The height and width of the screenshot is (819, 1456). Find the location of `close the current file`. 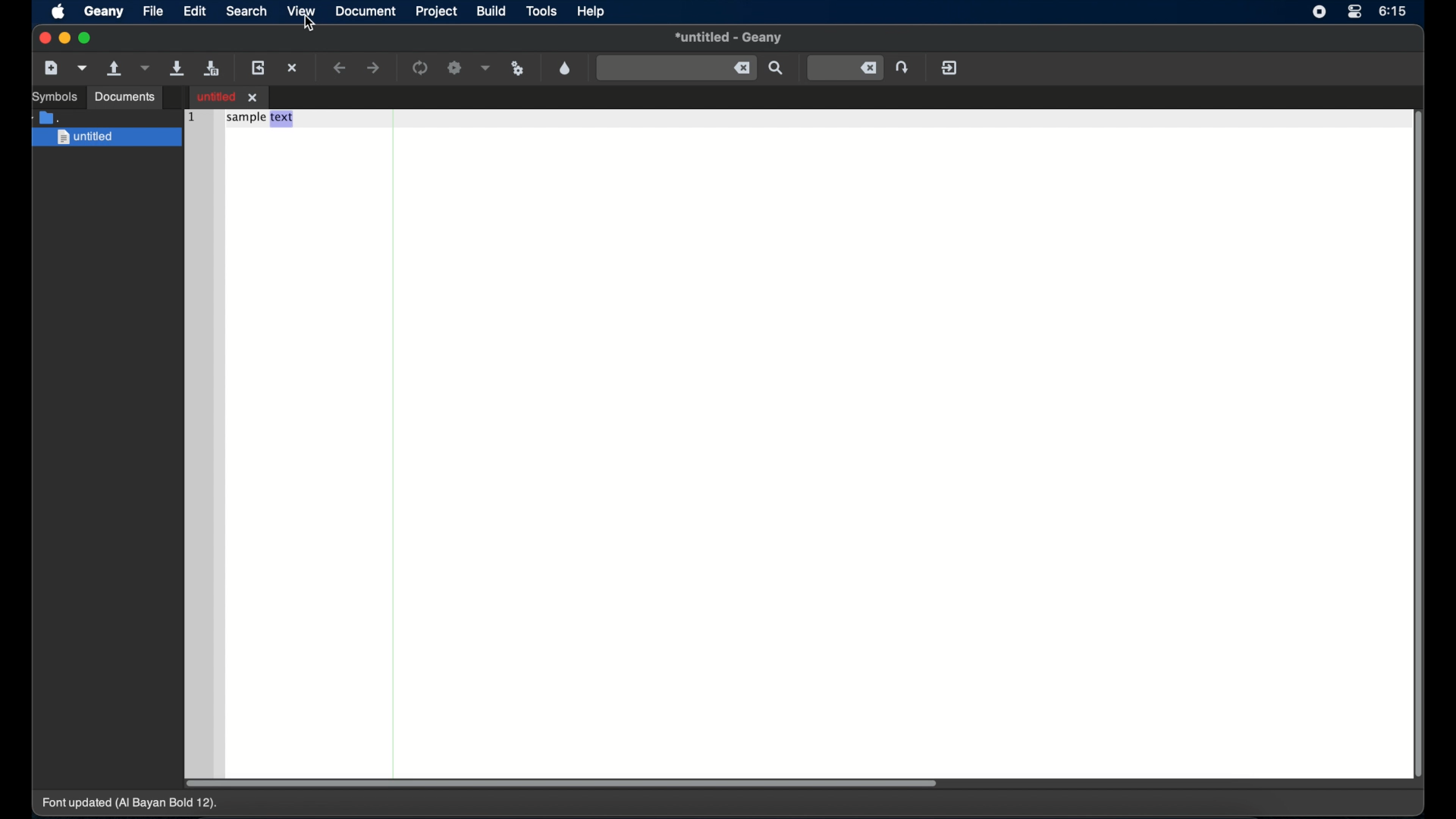

close the current file is located at coordinates (293, 69).